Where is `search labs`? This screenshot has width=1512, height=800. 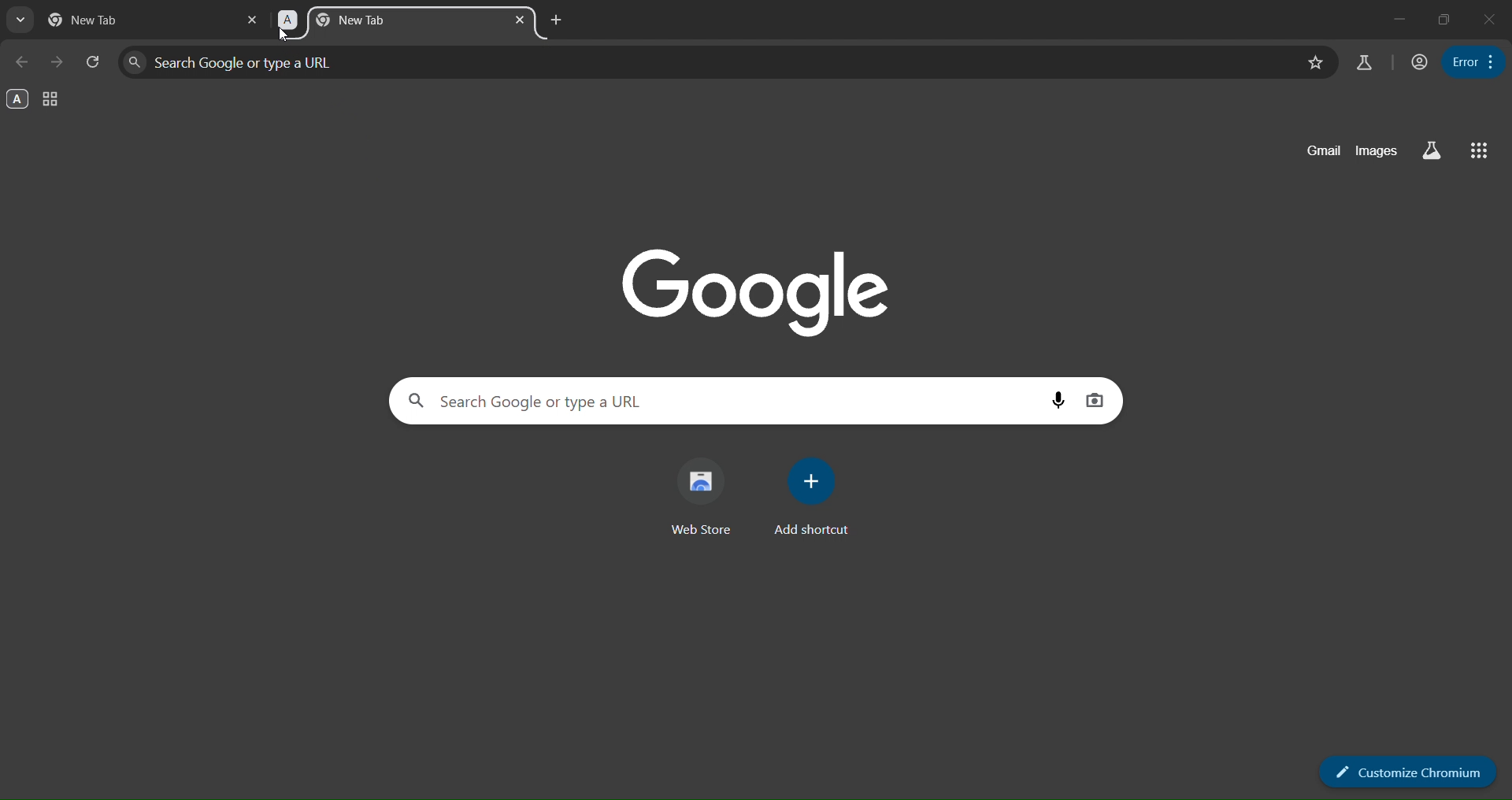 search labs is located at coordinates (1429, 151).